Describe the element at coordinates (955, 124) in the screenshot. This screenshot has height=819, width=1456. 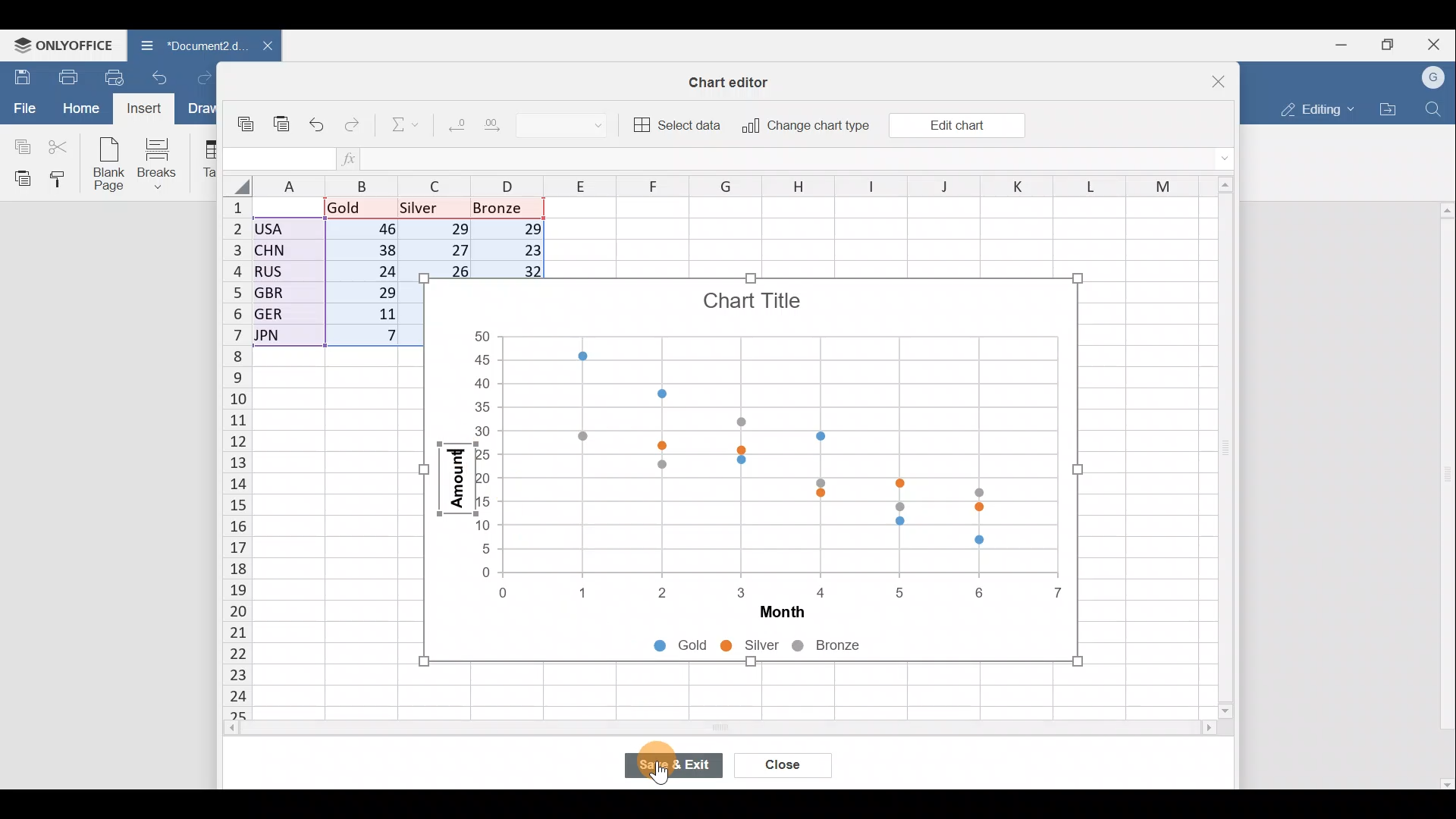
I see `Edit chart` at that location.